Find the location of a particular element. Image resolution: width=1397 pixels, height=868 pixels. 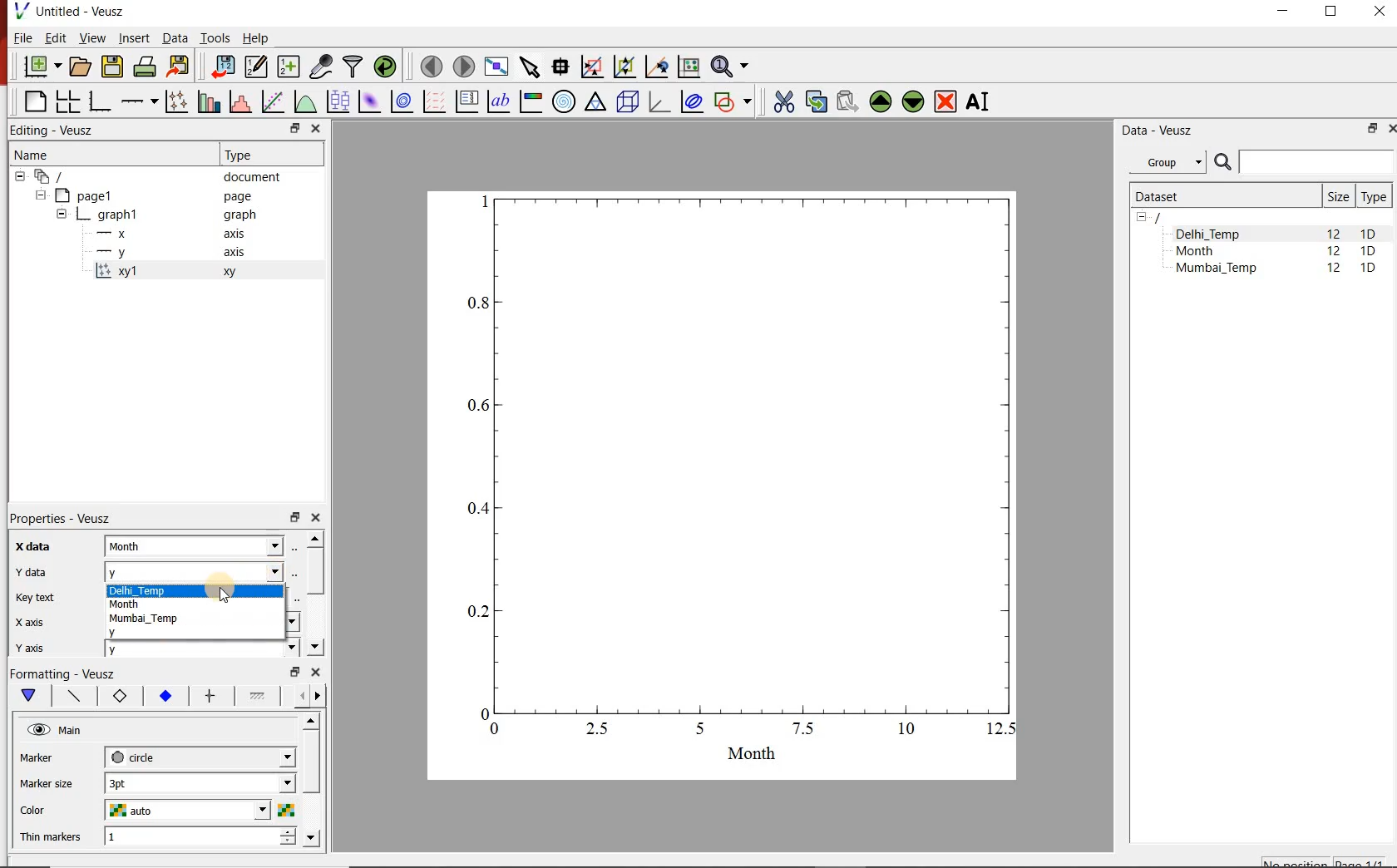

import data into Veusz is located at coordinates (221, 67).